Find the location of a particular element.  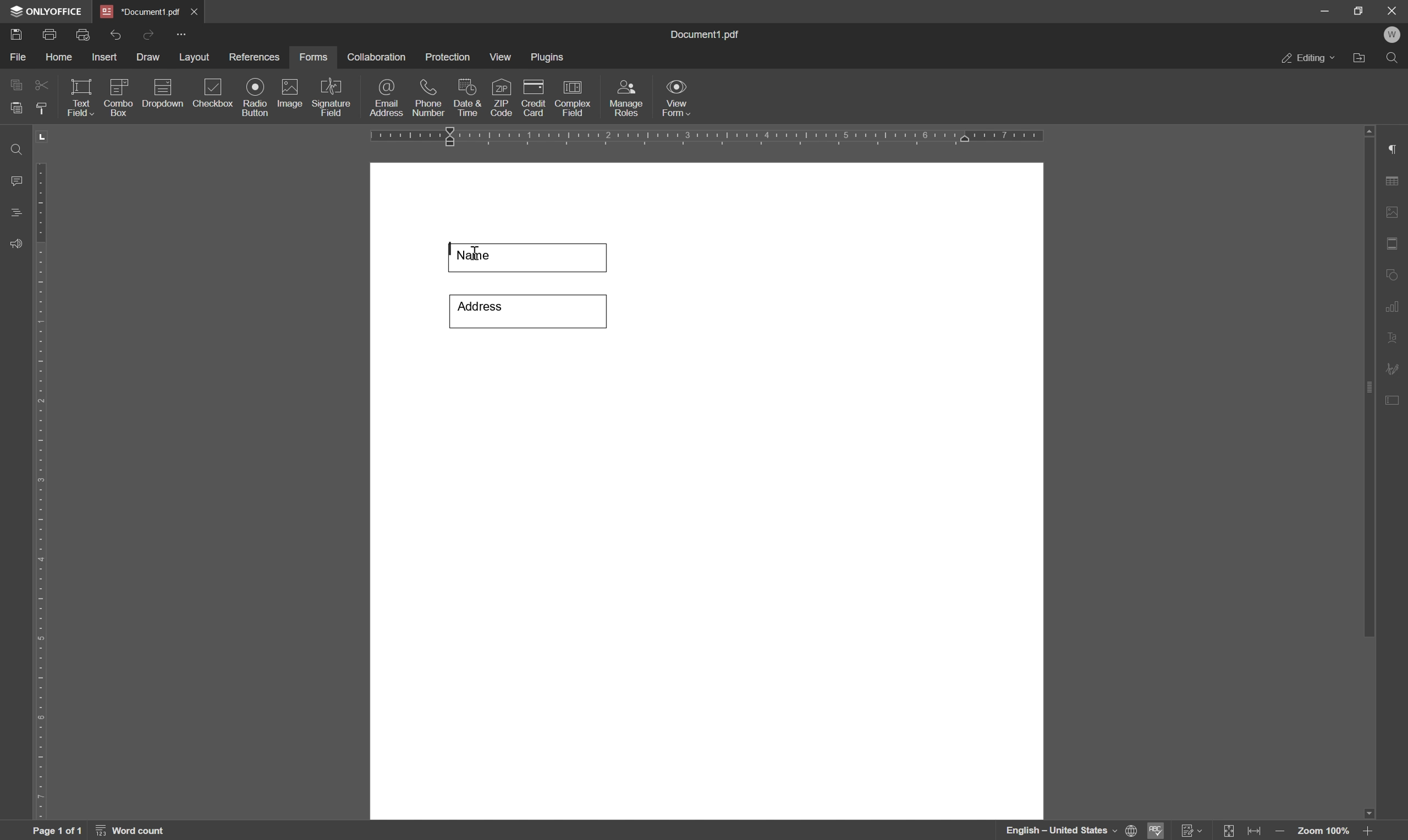

header & footer is located at coordinates (1394, 245).